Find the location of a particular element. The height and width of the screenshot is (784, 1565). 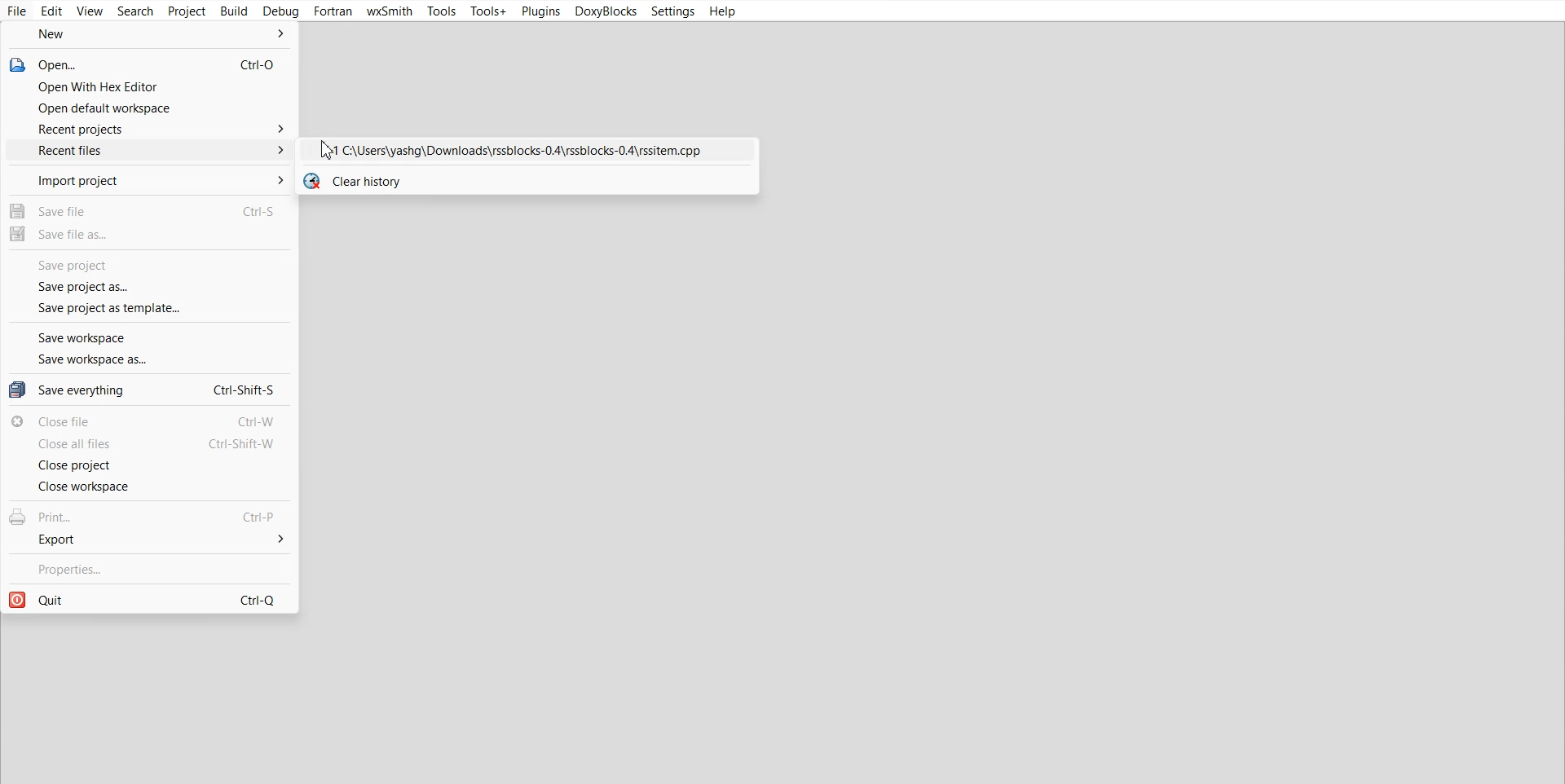

wxSmith is located at coordinates (389, 11).